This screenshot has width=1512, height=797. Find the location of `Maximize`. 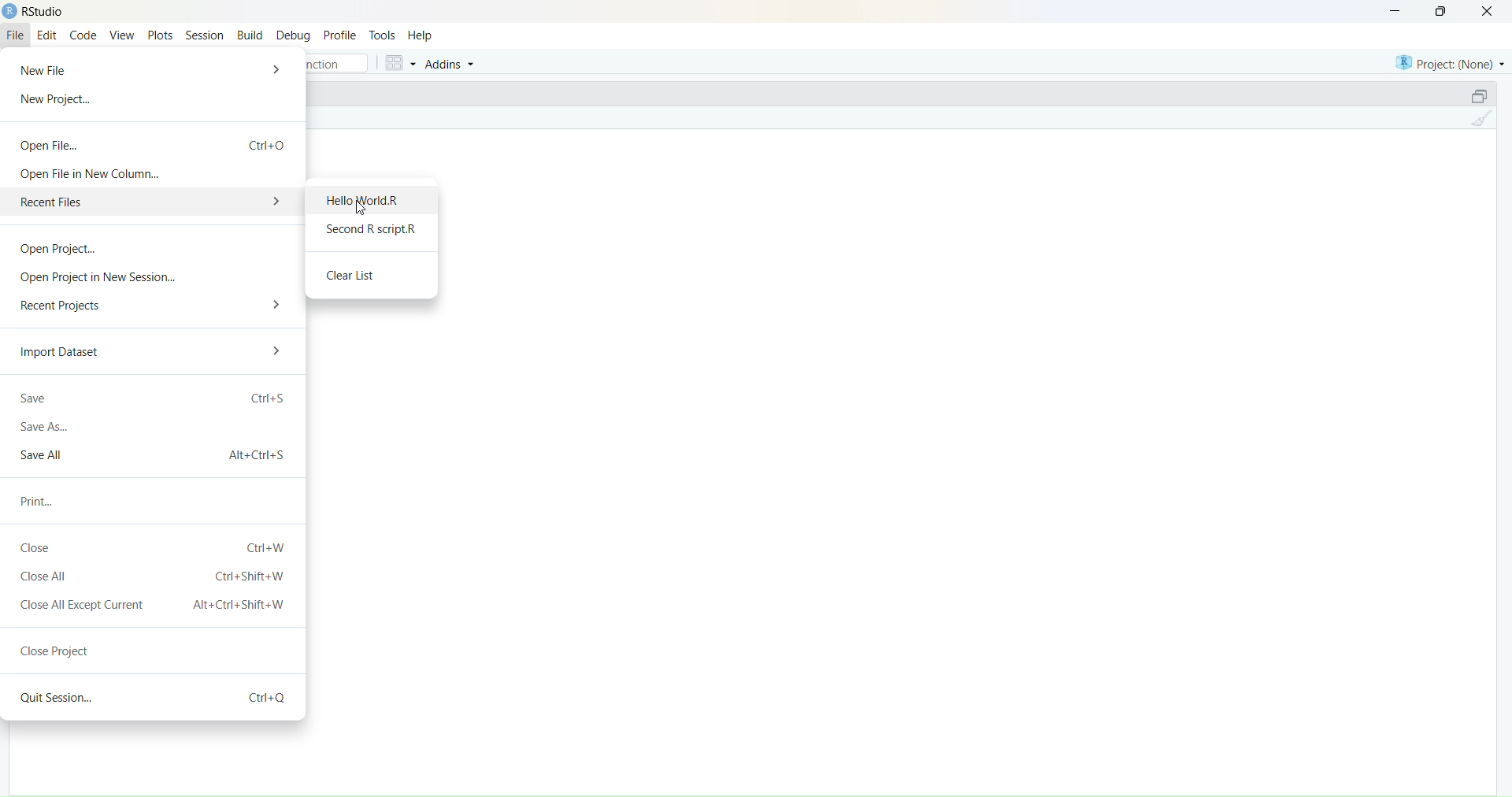

Maximize is located at coordinates (1444, 11).